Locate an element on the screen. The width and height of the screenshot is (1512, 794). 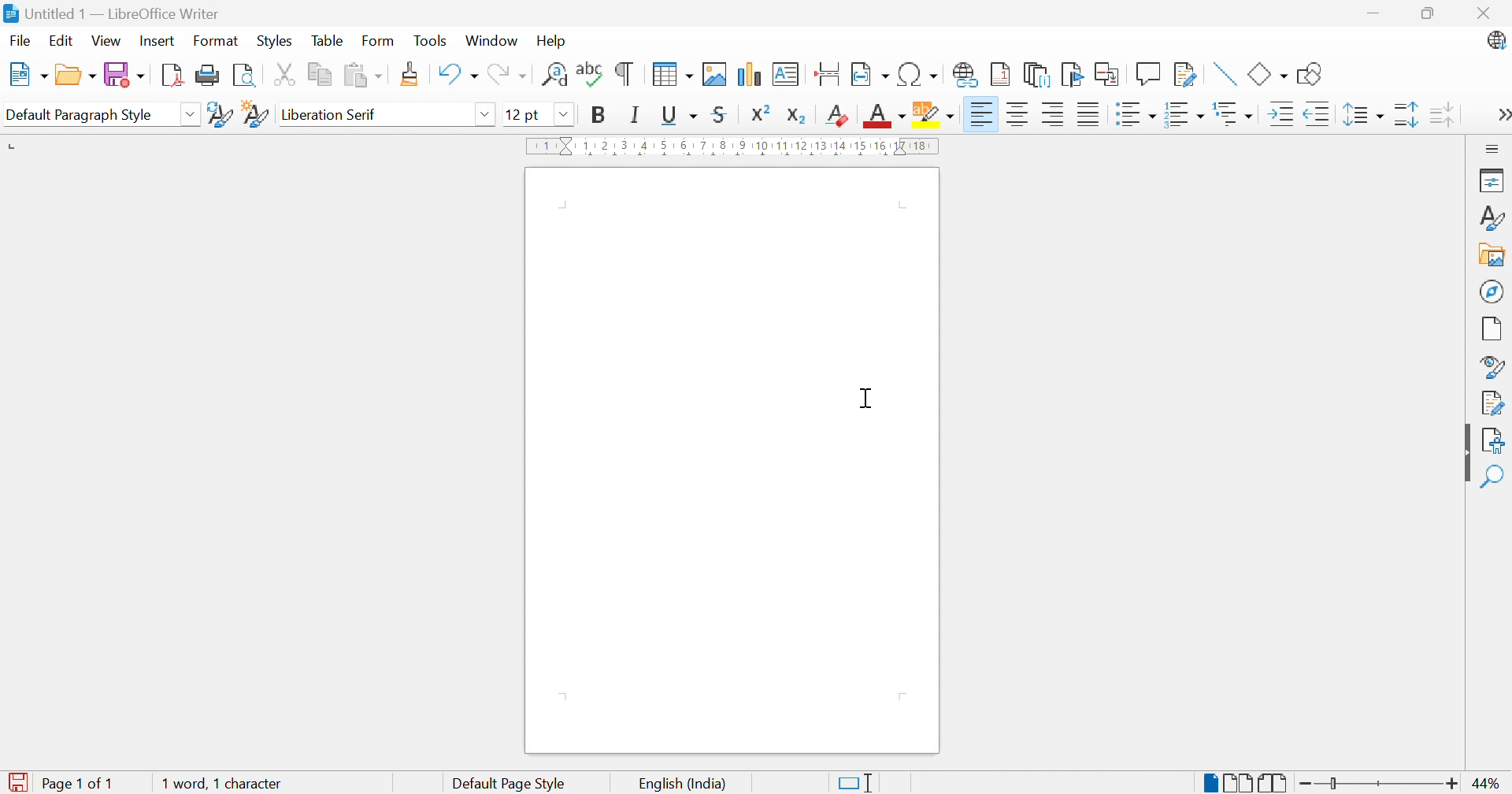
Drop down is located at coordinates (190, 113).